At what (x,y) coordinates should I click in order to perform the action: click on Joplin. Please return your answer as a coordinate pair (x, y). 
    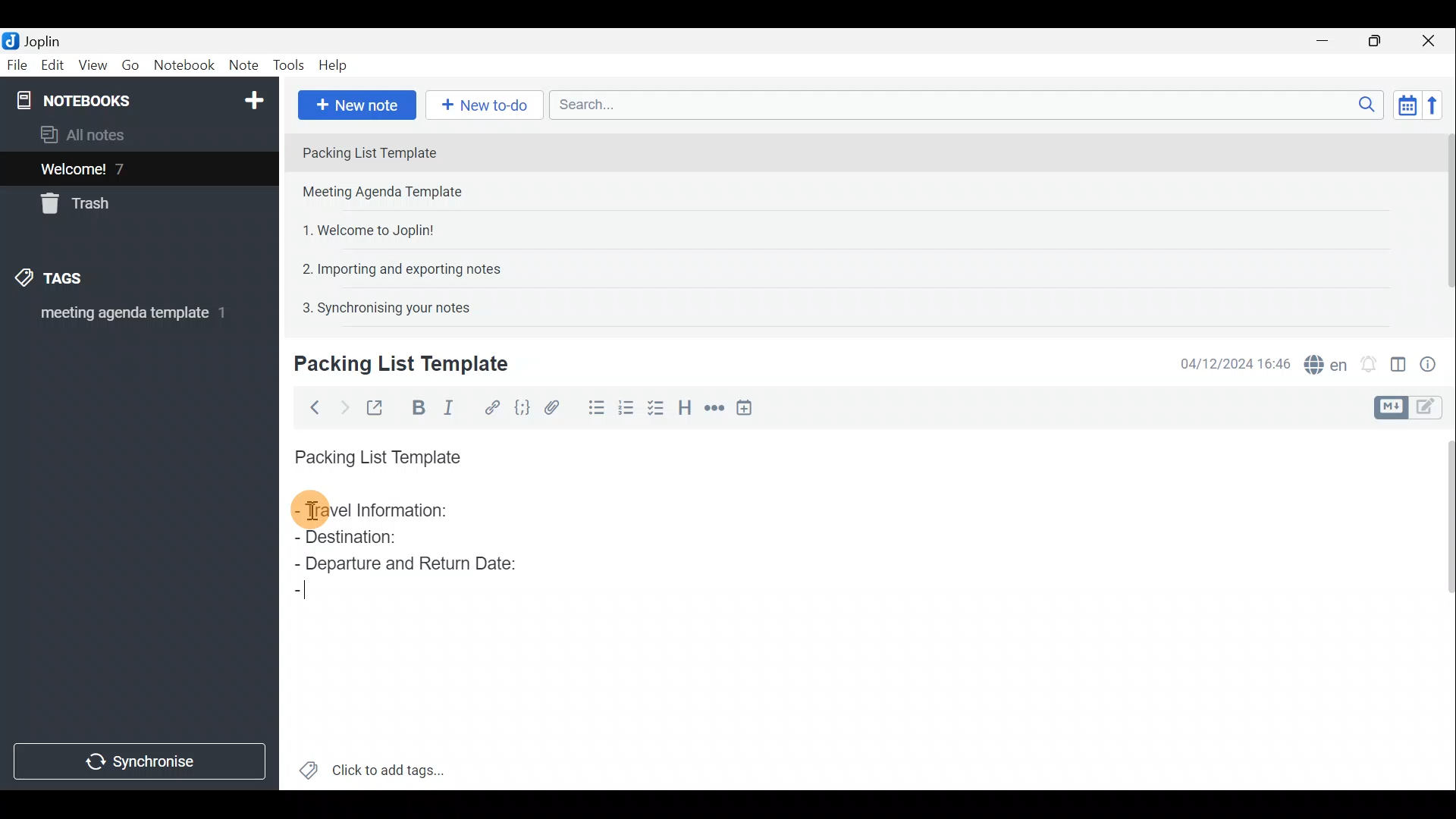
    Looking at the image, I should click on (36, 40).